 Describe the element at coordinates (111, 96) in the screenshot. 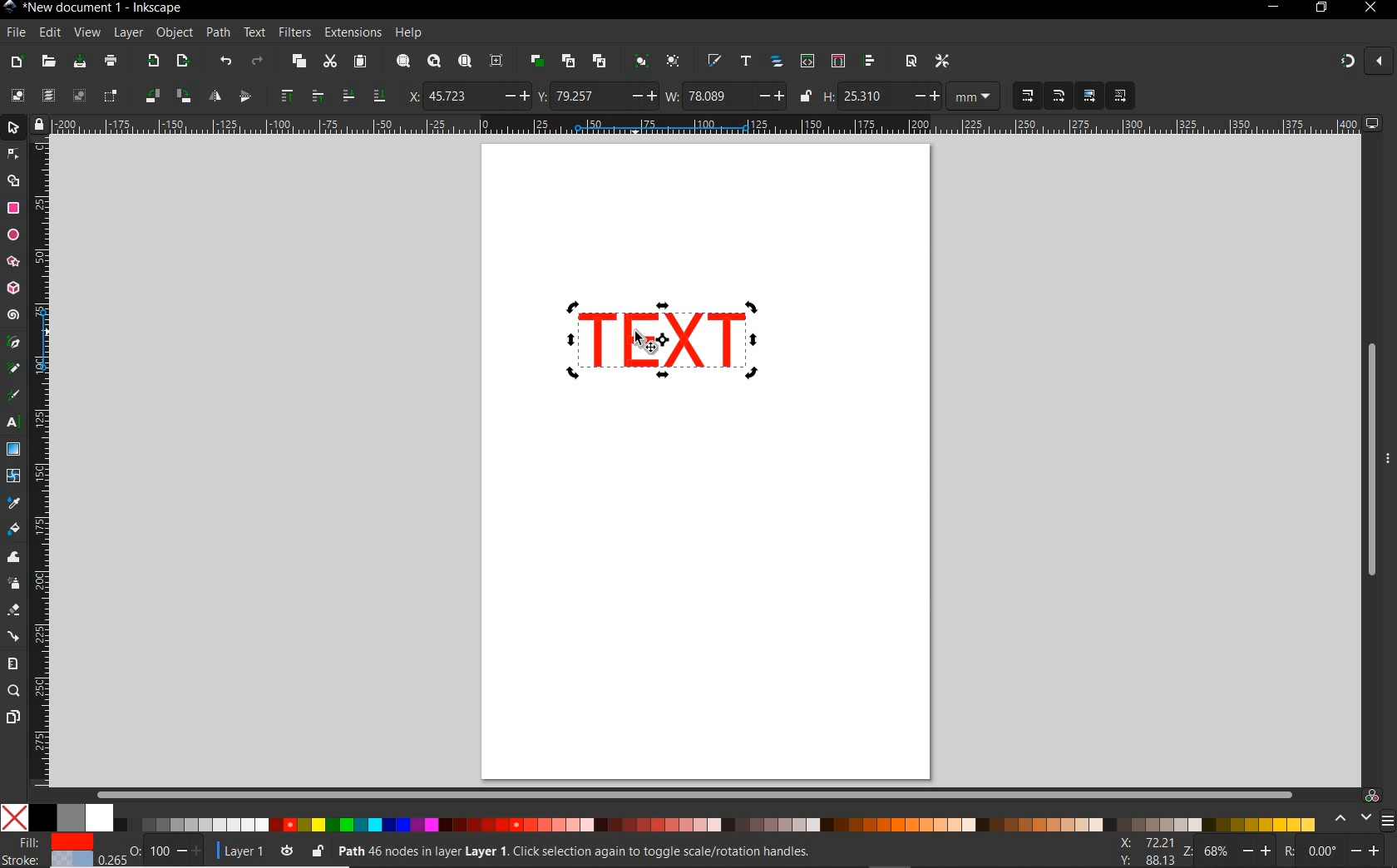

I see `TOGGLE SELECTIONBOX` at that location.